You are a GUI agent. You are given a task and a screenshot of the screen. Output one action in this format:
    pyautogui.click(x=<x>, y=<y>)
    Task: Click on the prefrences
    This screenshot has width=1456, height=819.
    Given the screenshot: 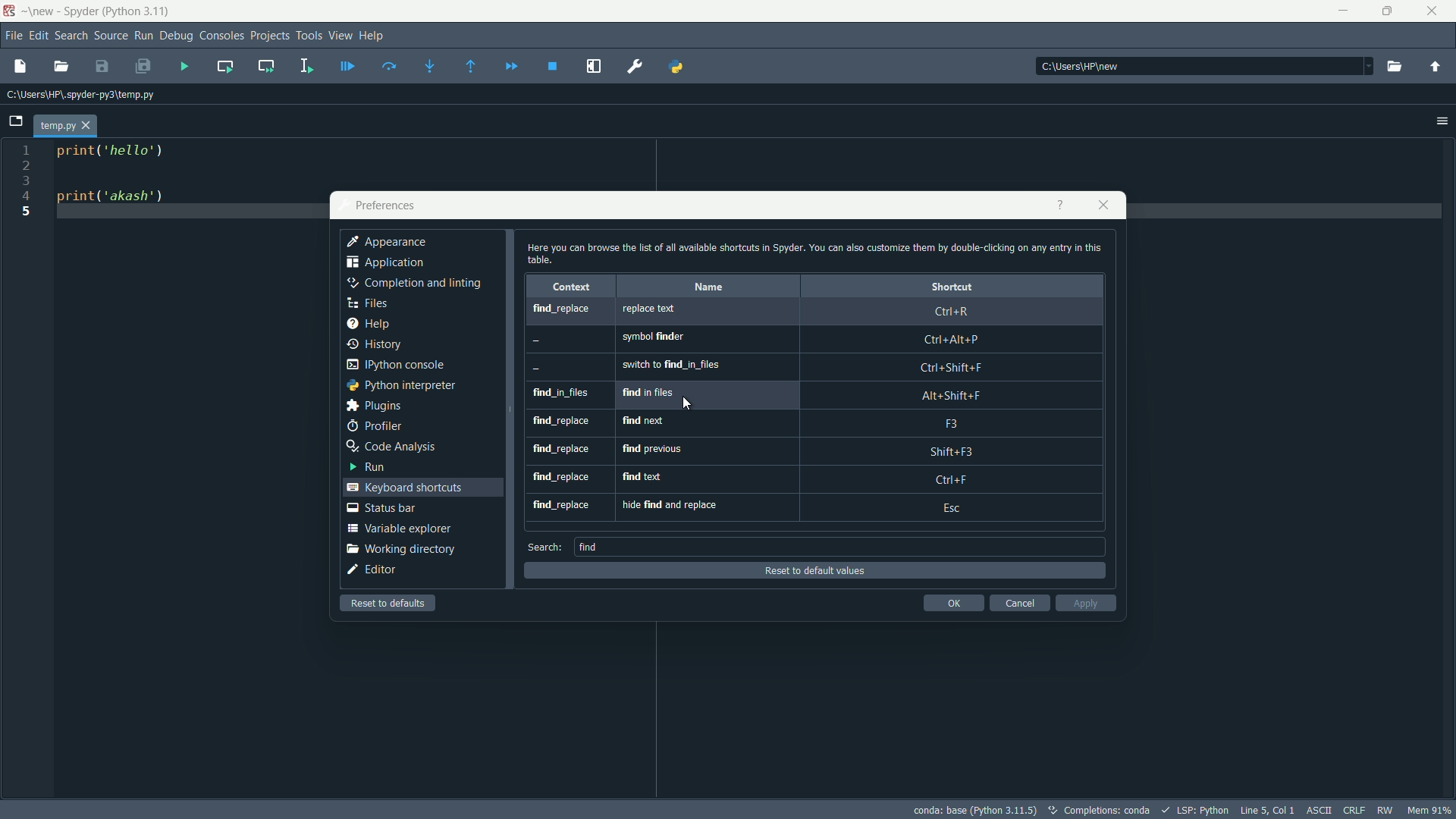 What is the action you would take?
    pyautogui.click(x=390, y=206)
    